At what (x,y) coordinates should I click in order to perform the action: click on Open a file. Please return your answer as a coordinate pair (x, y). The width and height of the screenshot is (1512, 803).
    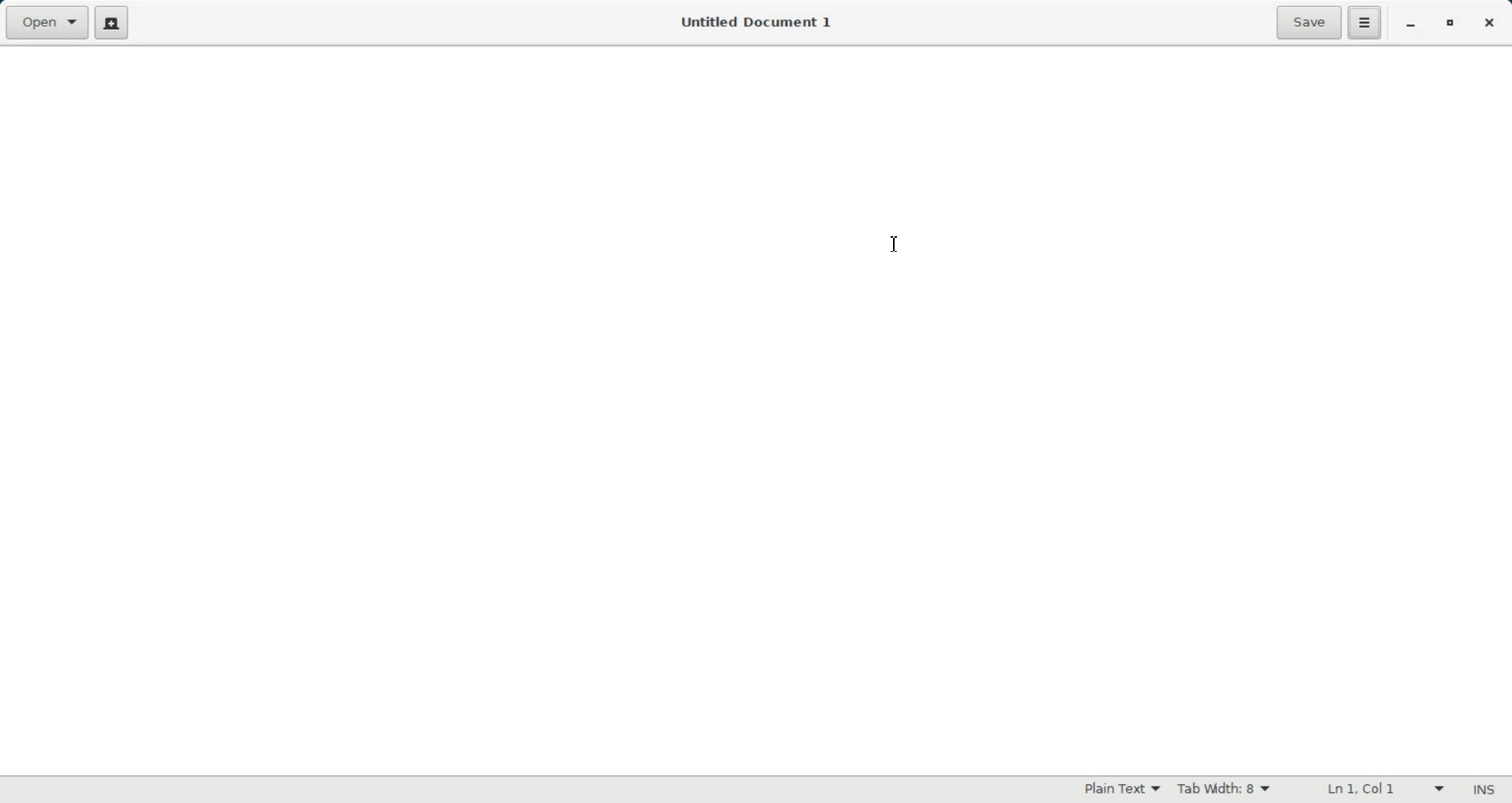
    Looking at the image, I should click on (47, 23).